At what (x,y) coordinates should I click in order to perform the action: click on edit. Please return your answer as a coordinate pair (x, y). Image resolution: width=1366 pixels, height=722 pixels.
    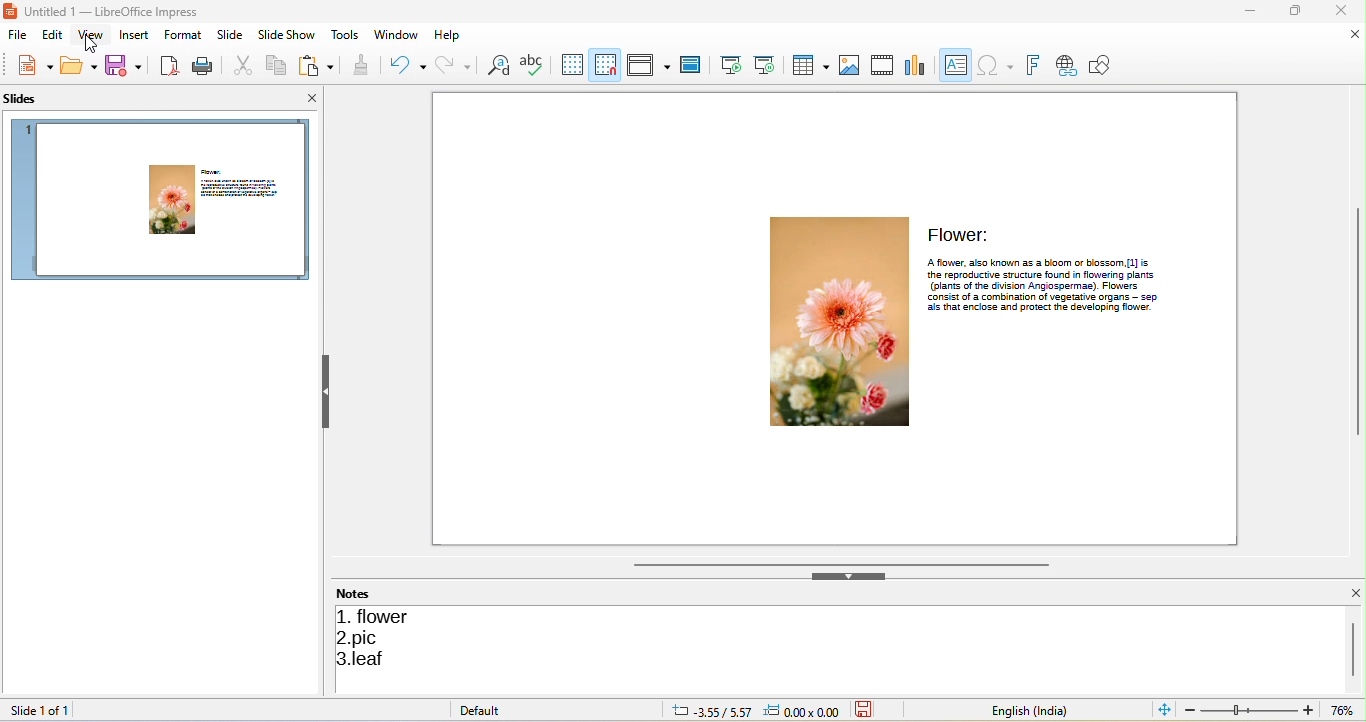
    Looking at the image, I should click on (47, 35).